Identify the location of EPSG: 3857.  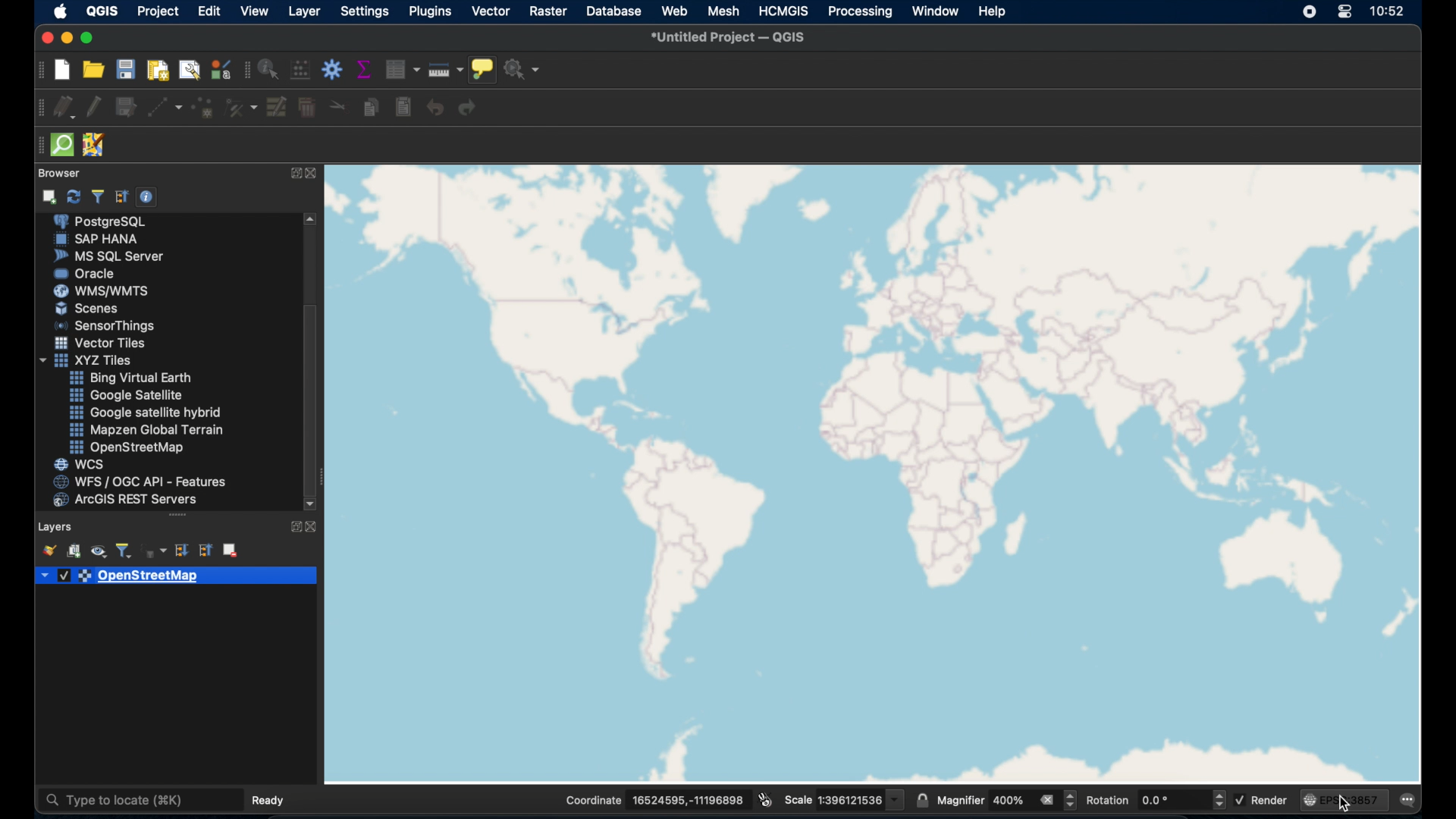
(1347, 801).